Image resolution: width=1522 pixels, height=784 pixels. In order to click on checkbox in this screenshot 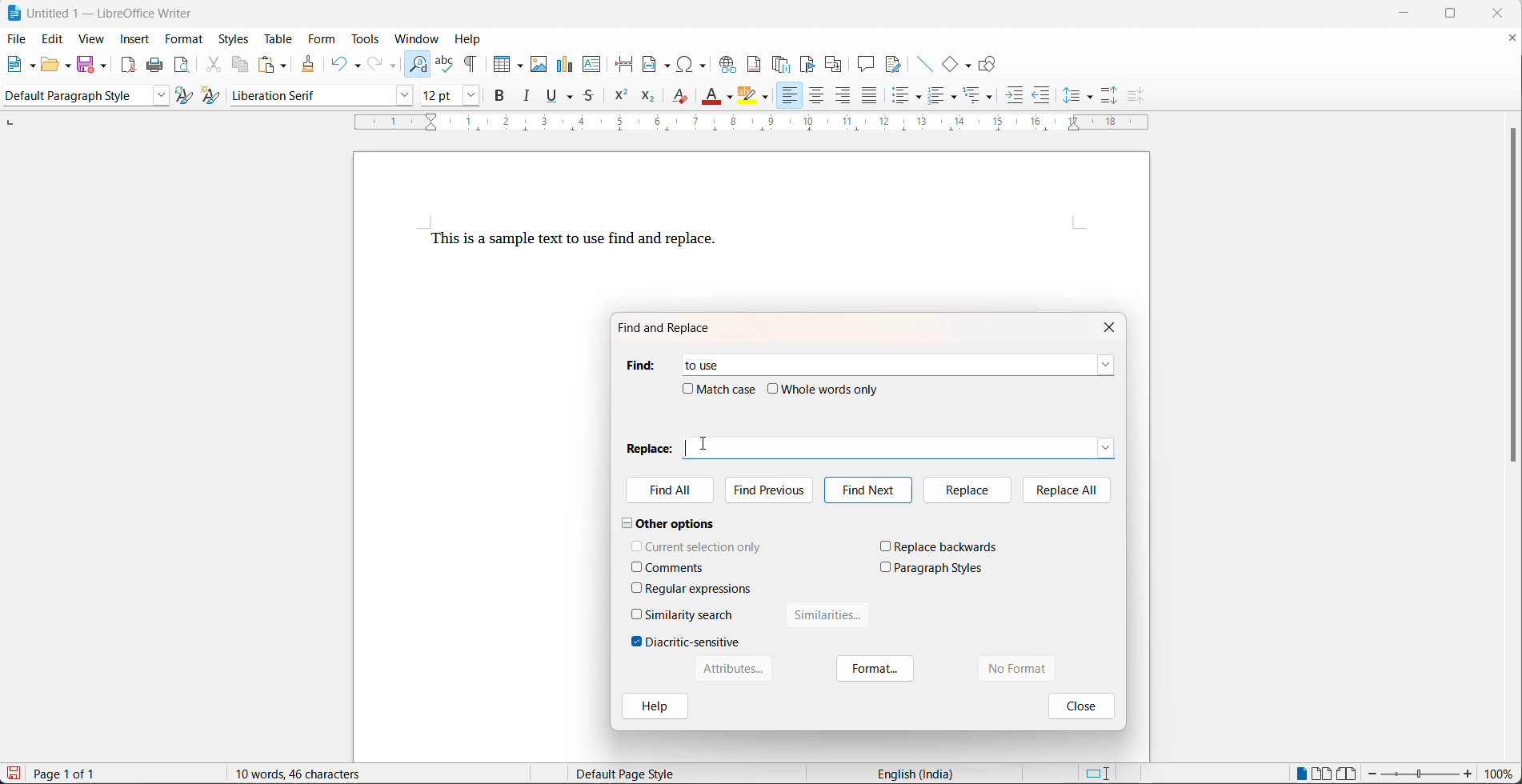, I will do `click(637, 545)`.